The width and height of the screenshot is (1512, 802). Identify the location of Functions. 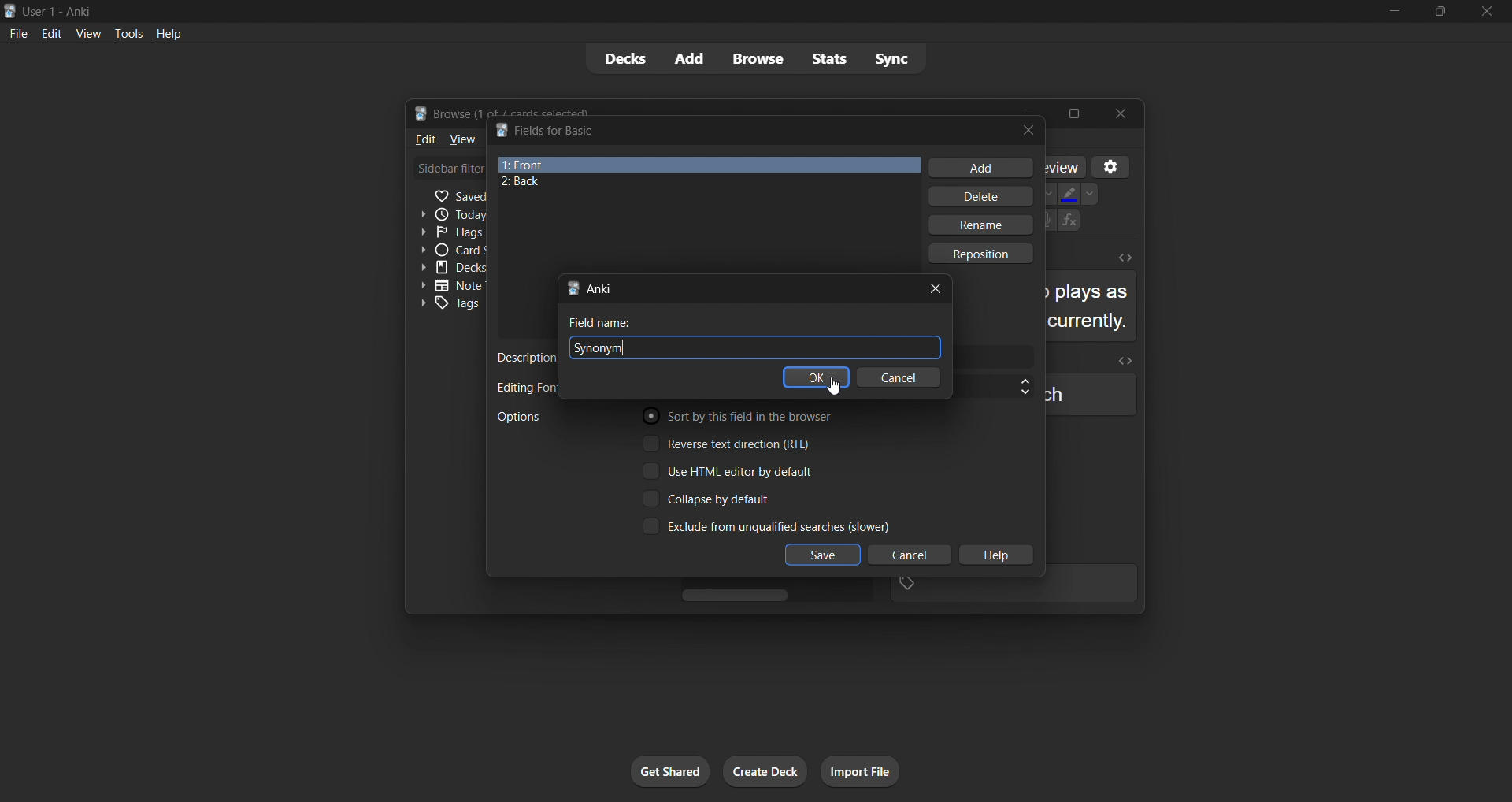
(1072, 222).